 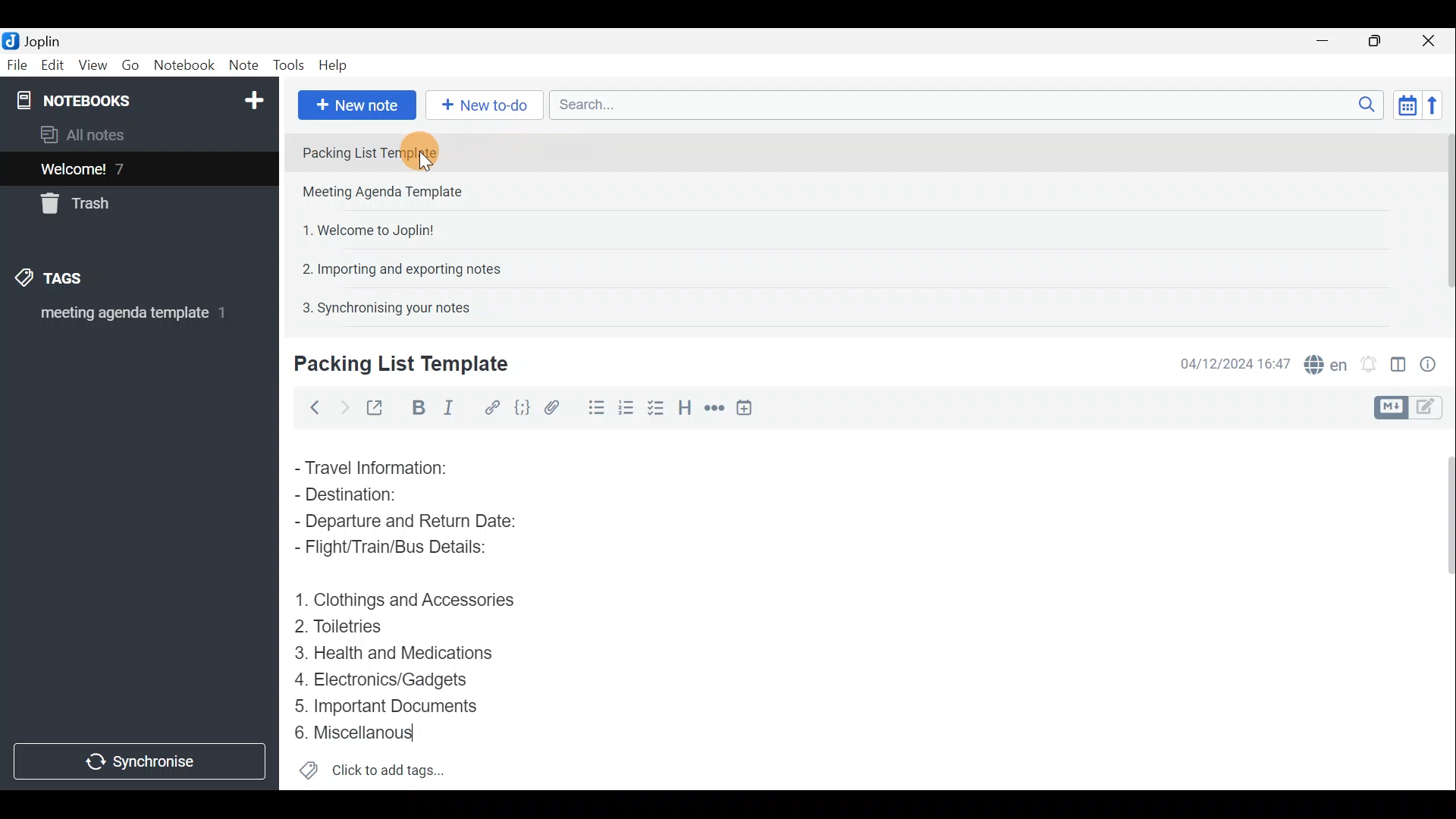 What do you see at coordinates (88, 134) in the screenshot?
I see `All notes` at bounding box center [88, 134].